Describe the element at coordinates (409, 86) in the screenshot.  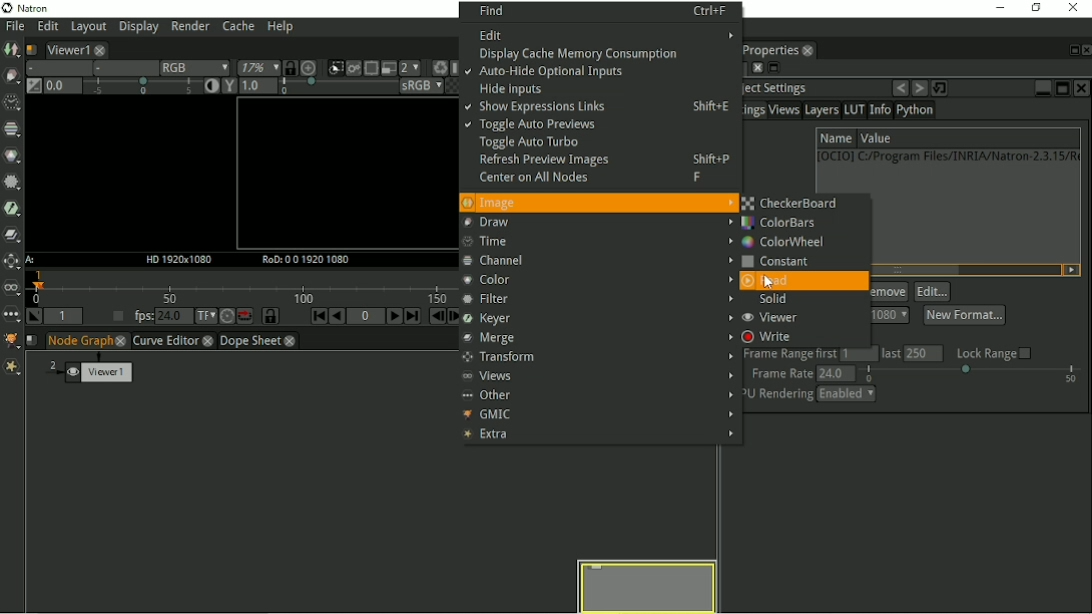
I see `sRGB` at that location.